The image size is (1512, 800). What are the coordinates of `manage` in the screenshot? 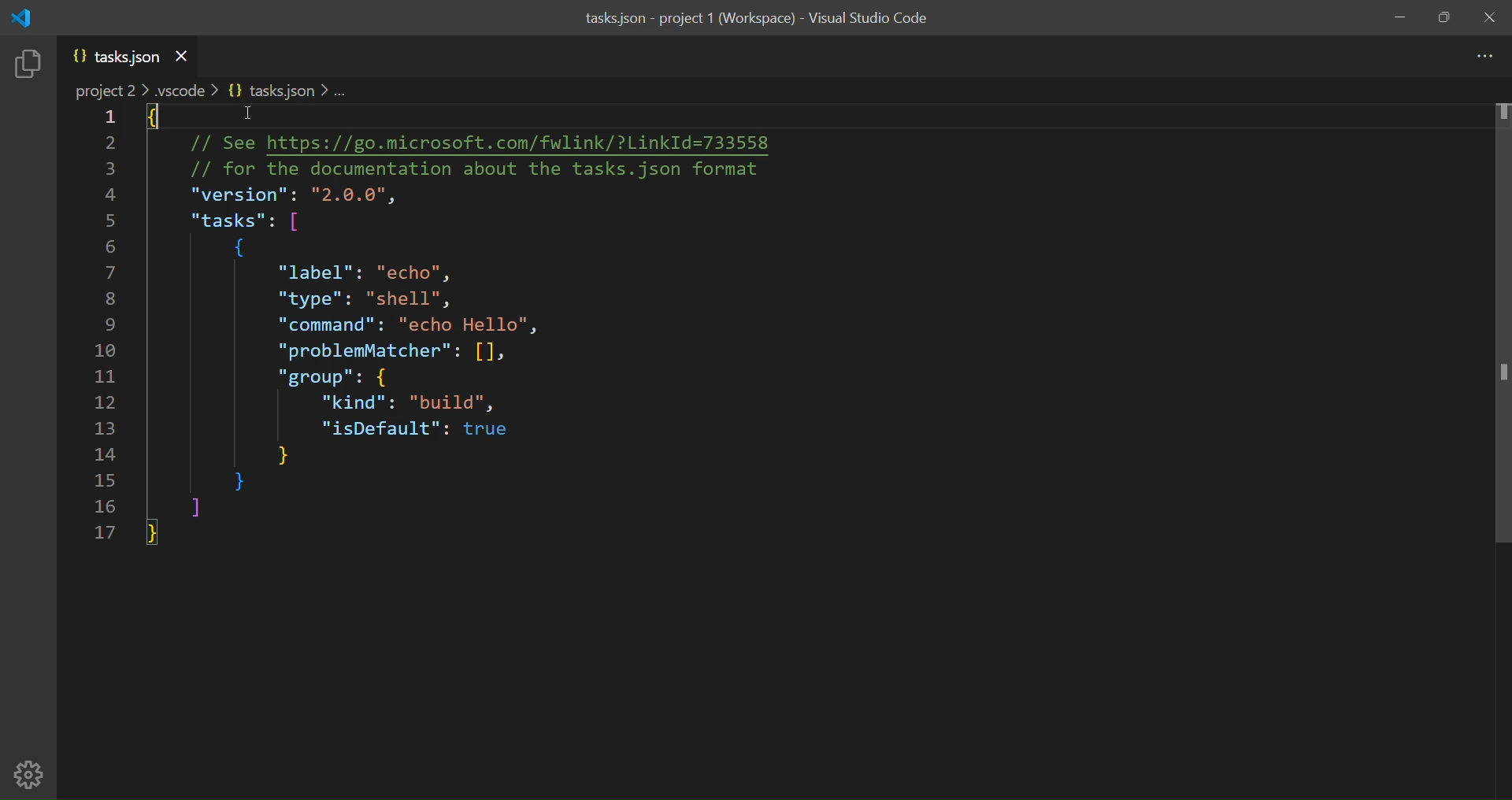 It's located at (31, 772).